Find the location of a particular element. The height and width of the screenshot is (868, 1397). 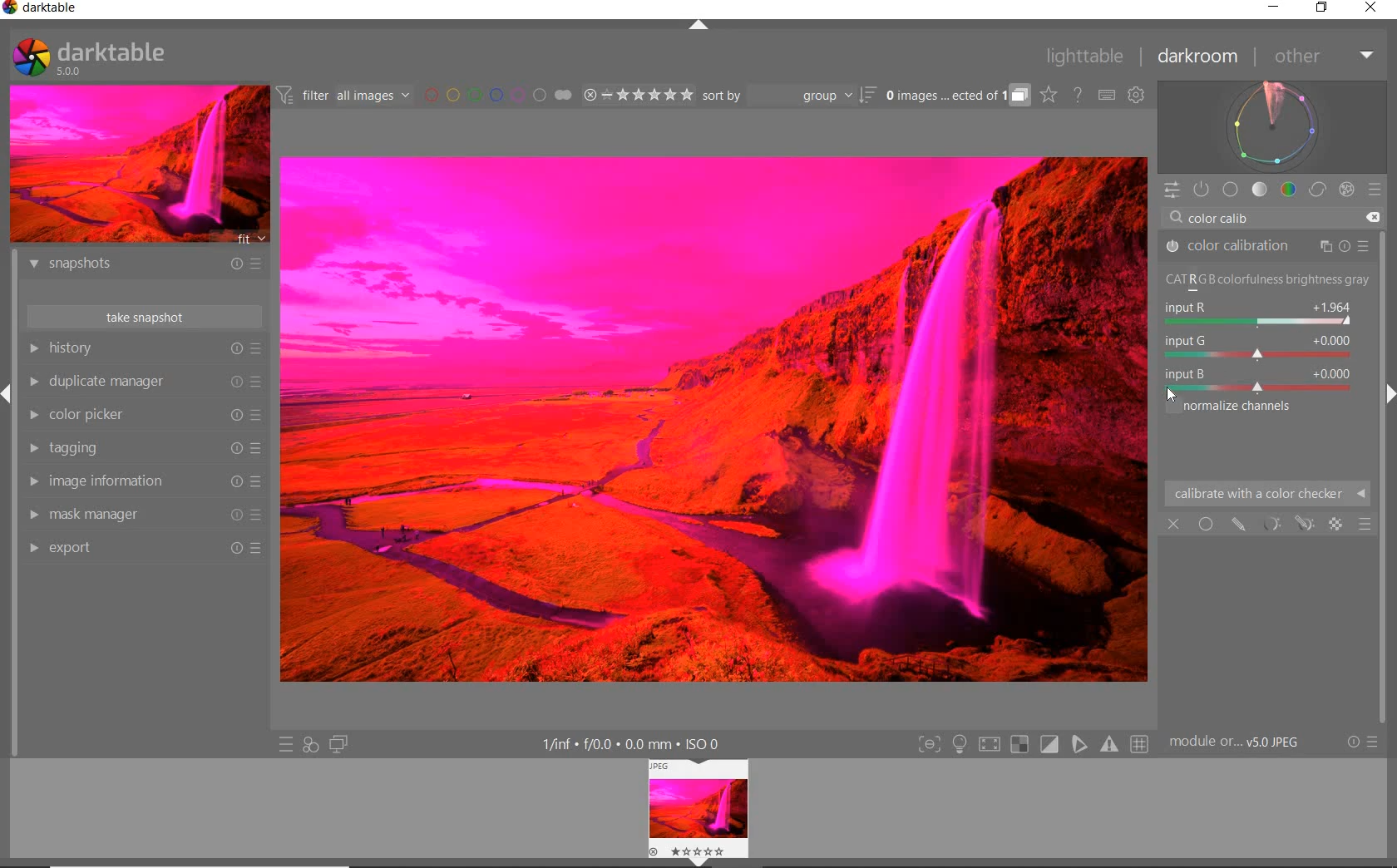

Expand/Collapse is located at coordinates (1389, 397).